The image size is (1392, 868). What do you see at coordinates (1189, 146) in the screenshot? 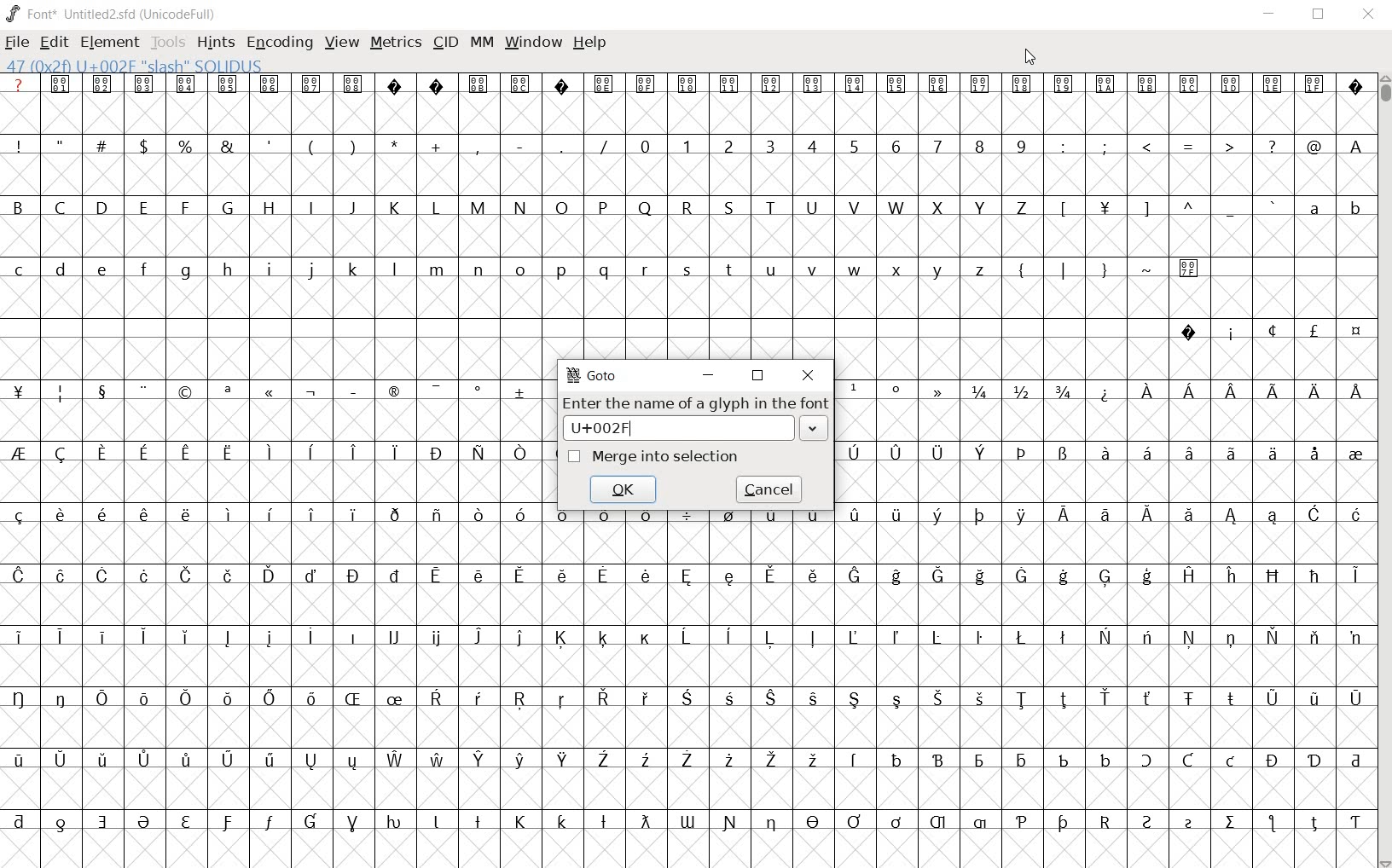
I see `symbols` at bounding box center [1189, 146].